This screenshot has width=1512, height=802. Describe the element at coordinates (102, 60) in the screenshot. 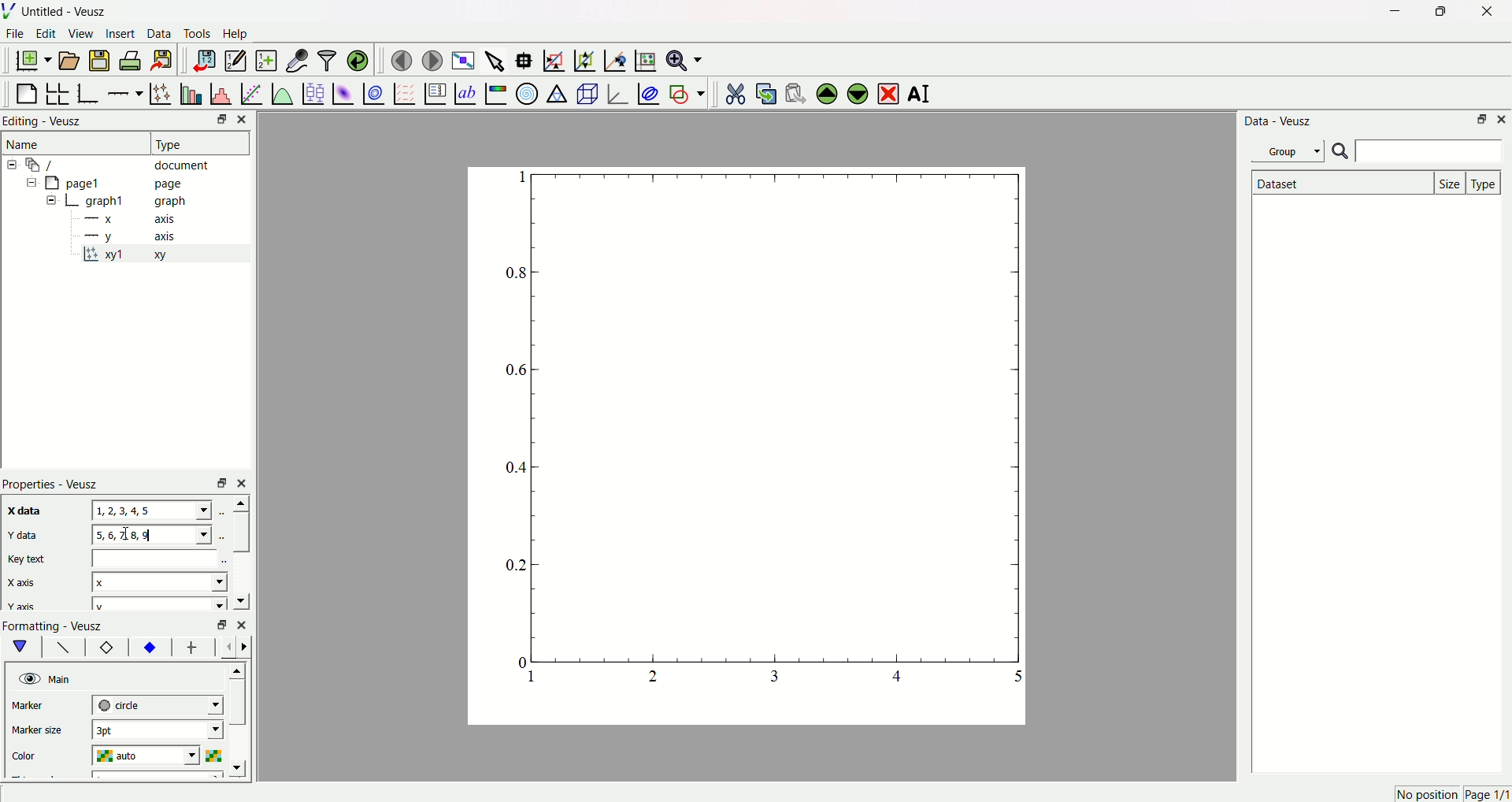

I see `save document` at that location.